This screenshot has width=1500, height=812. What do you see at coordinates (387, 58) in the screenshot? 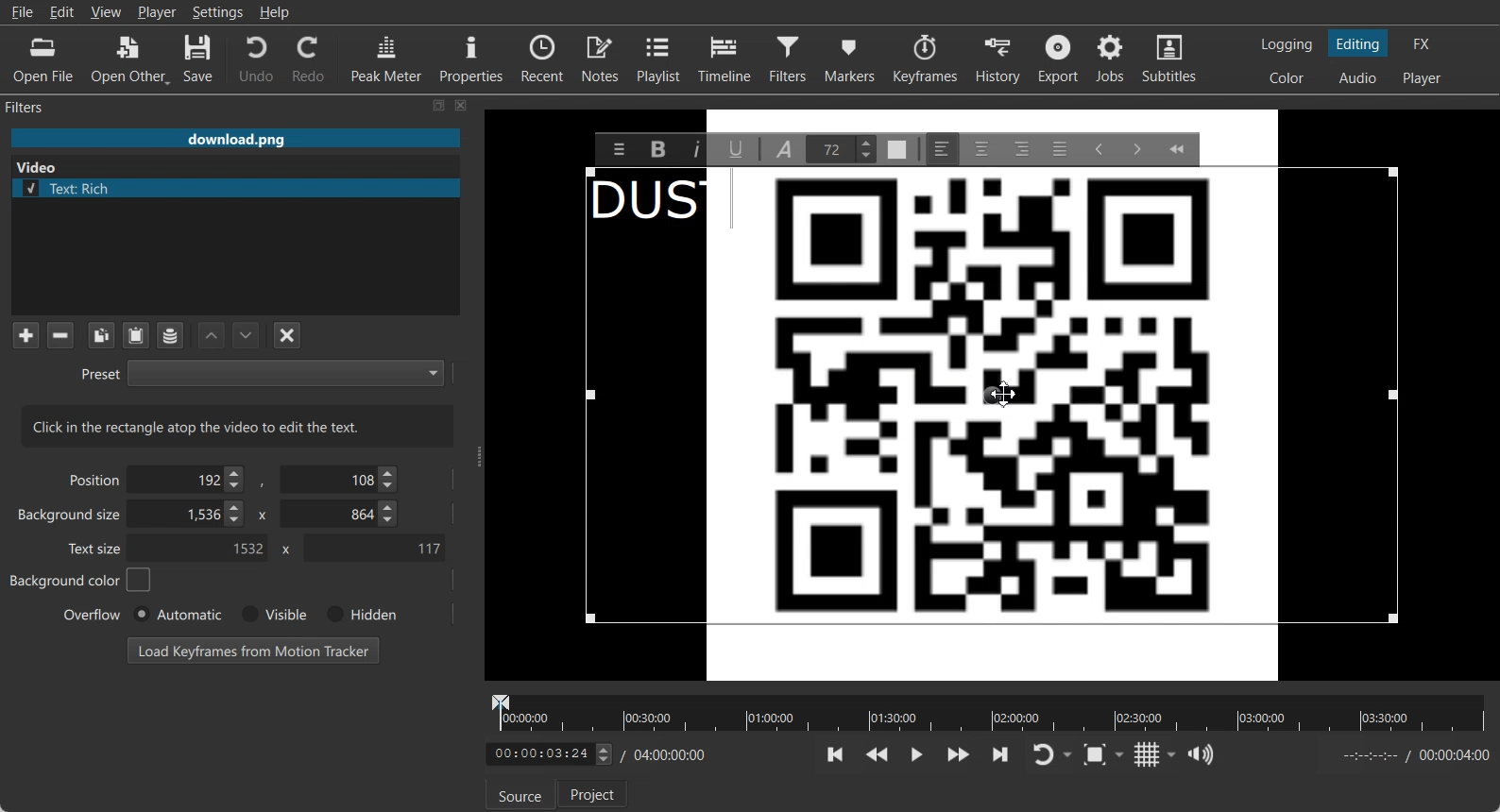
I see `Peak Meter` at bounding box center [387, 58].